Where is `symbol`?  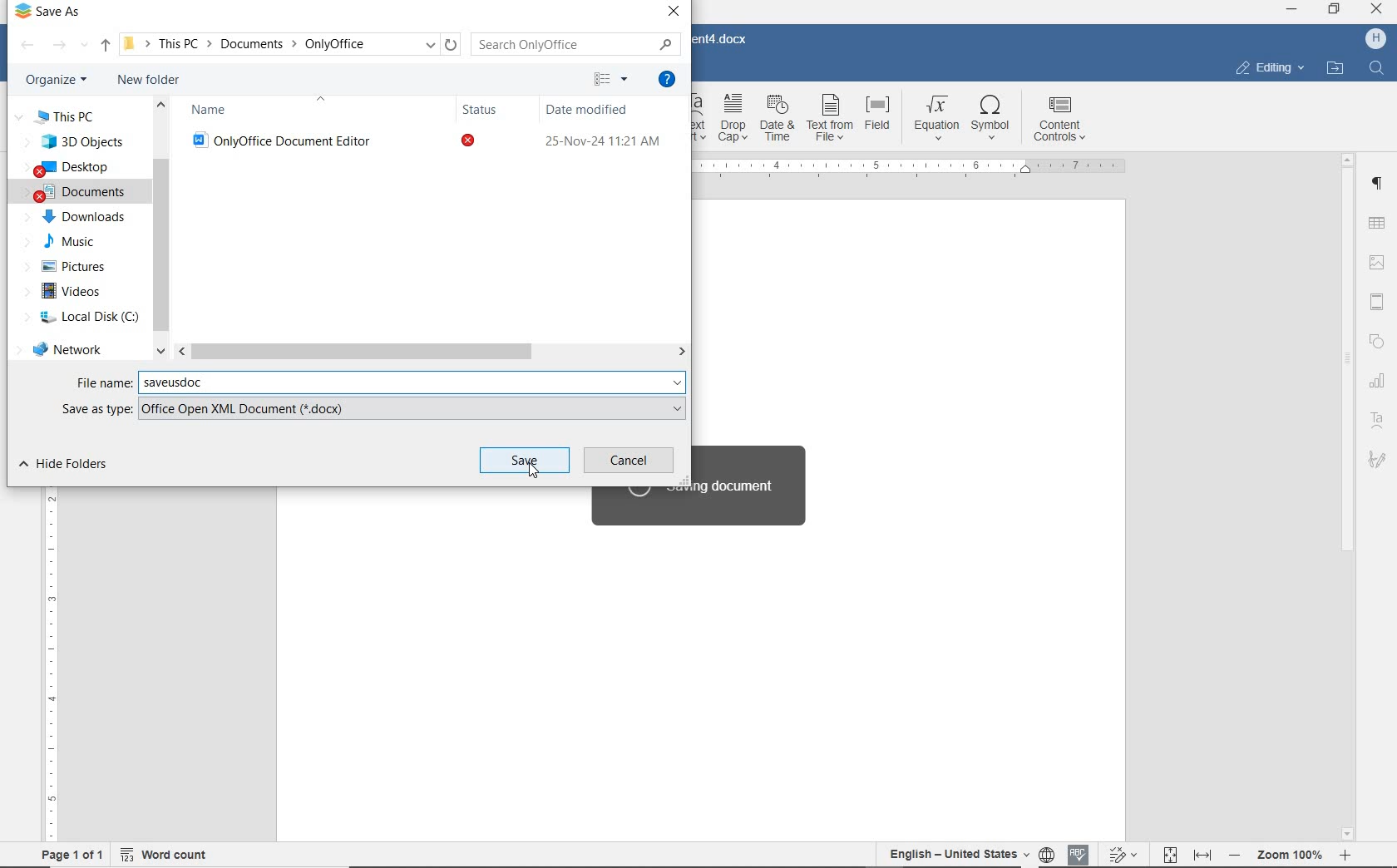 symbol is located at coordinates (993, 118).